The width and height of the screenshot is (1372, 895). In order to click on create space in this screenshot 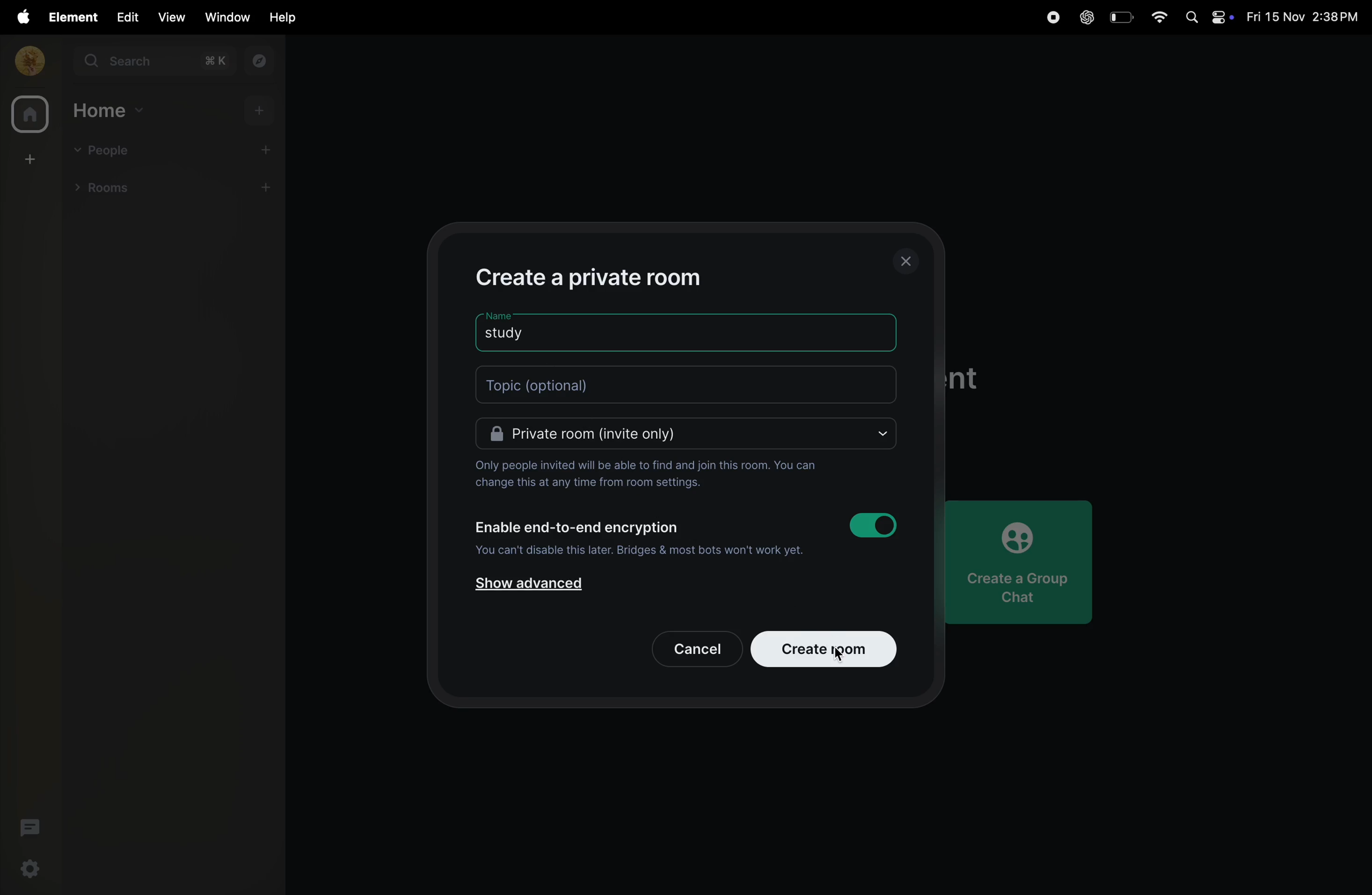, I will do `click(28, 158)`.